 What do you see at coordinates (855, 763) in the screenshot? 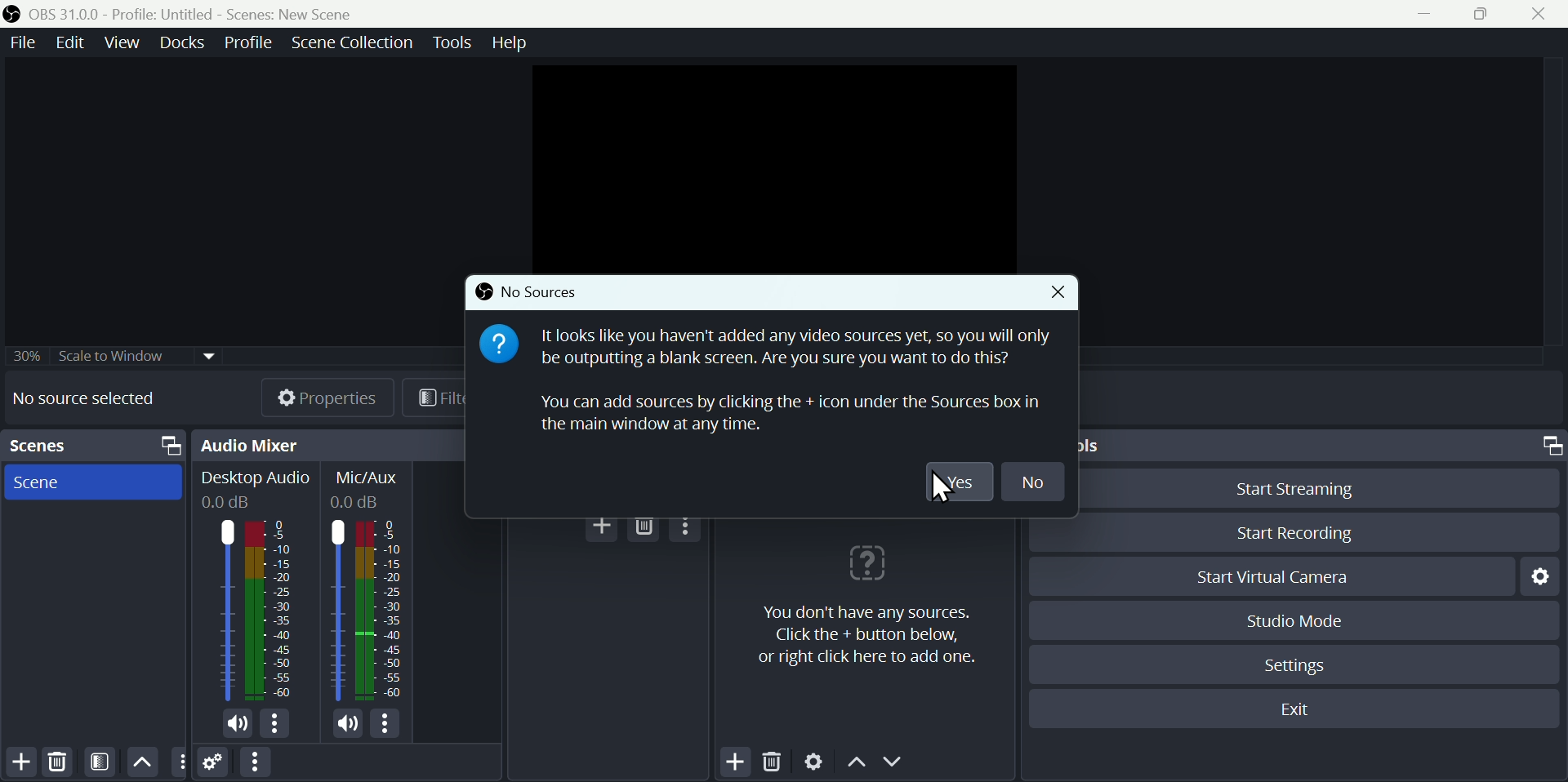
I see `up` at bounding box center [855, 763].